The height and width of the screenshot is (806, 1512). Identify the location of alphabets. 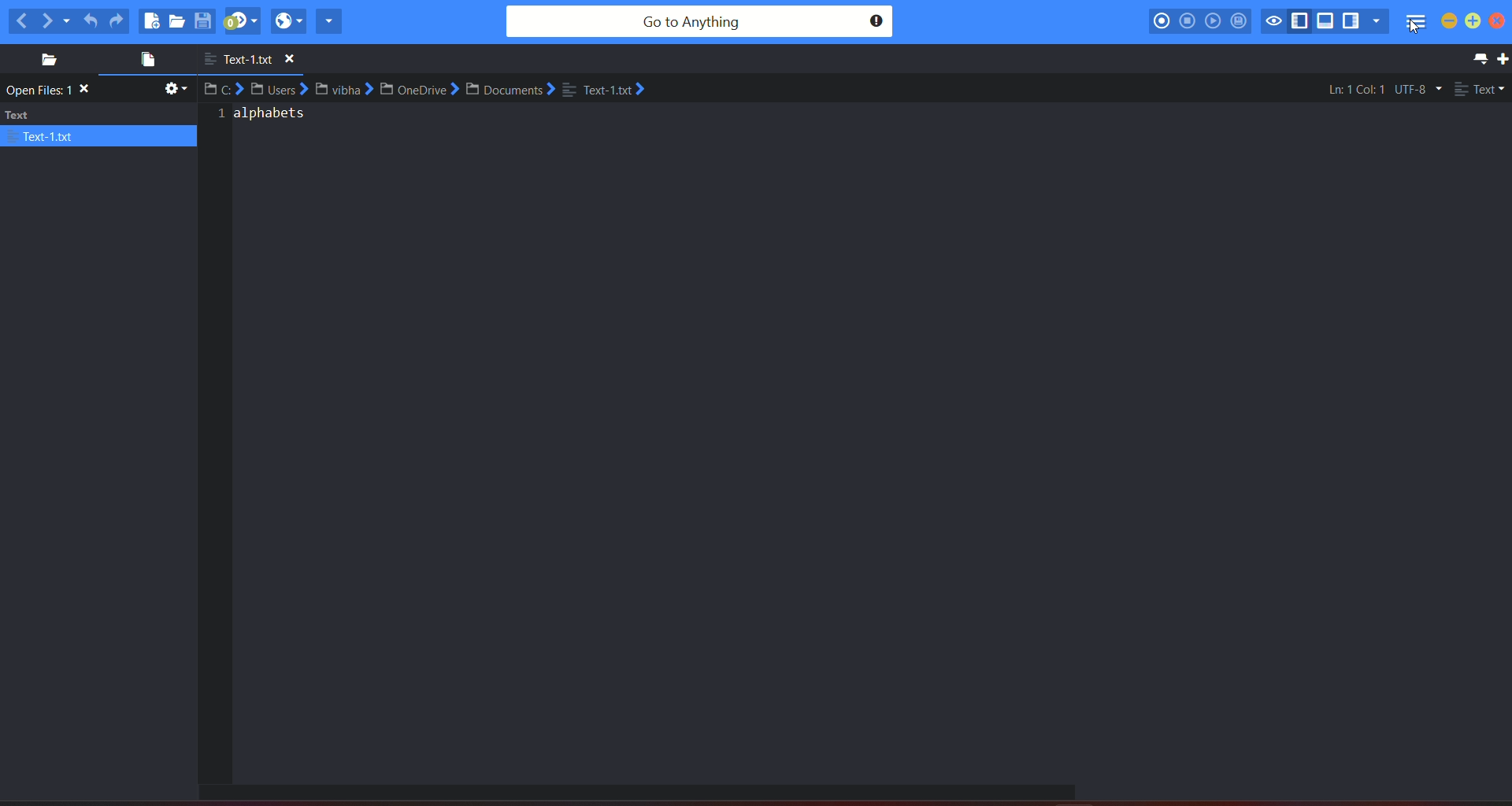
(266, 119).